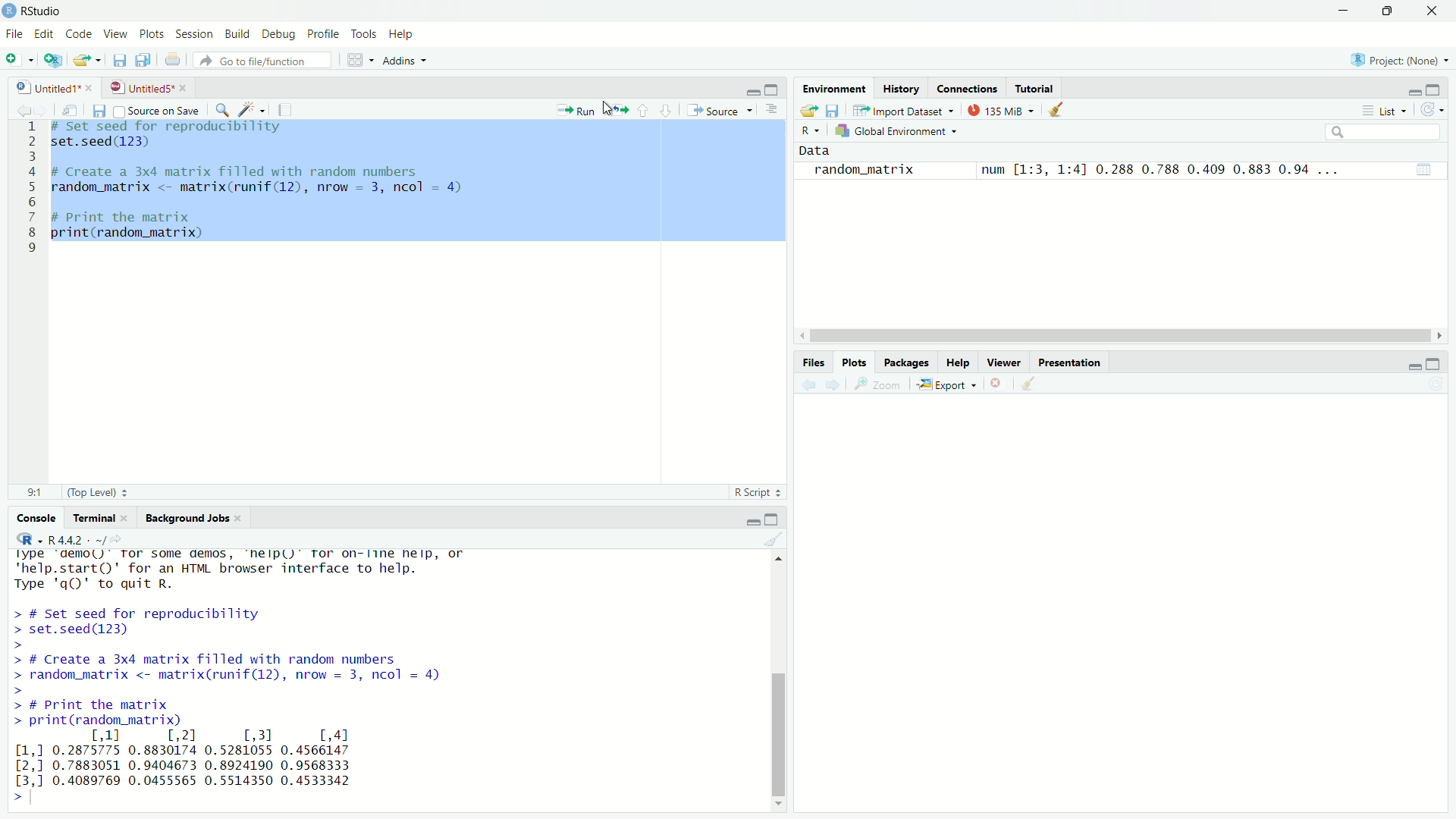 The width and height of the screenshot is (1456, 819). What do you see at coordinates (156, 110) in the screenshot?
I see `Source on Save` at bounding box center [156, 110].